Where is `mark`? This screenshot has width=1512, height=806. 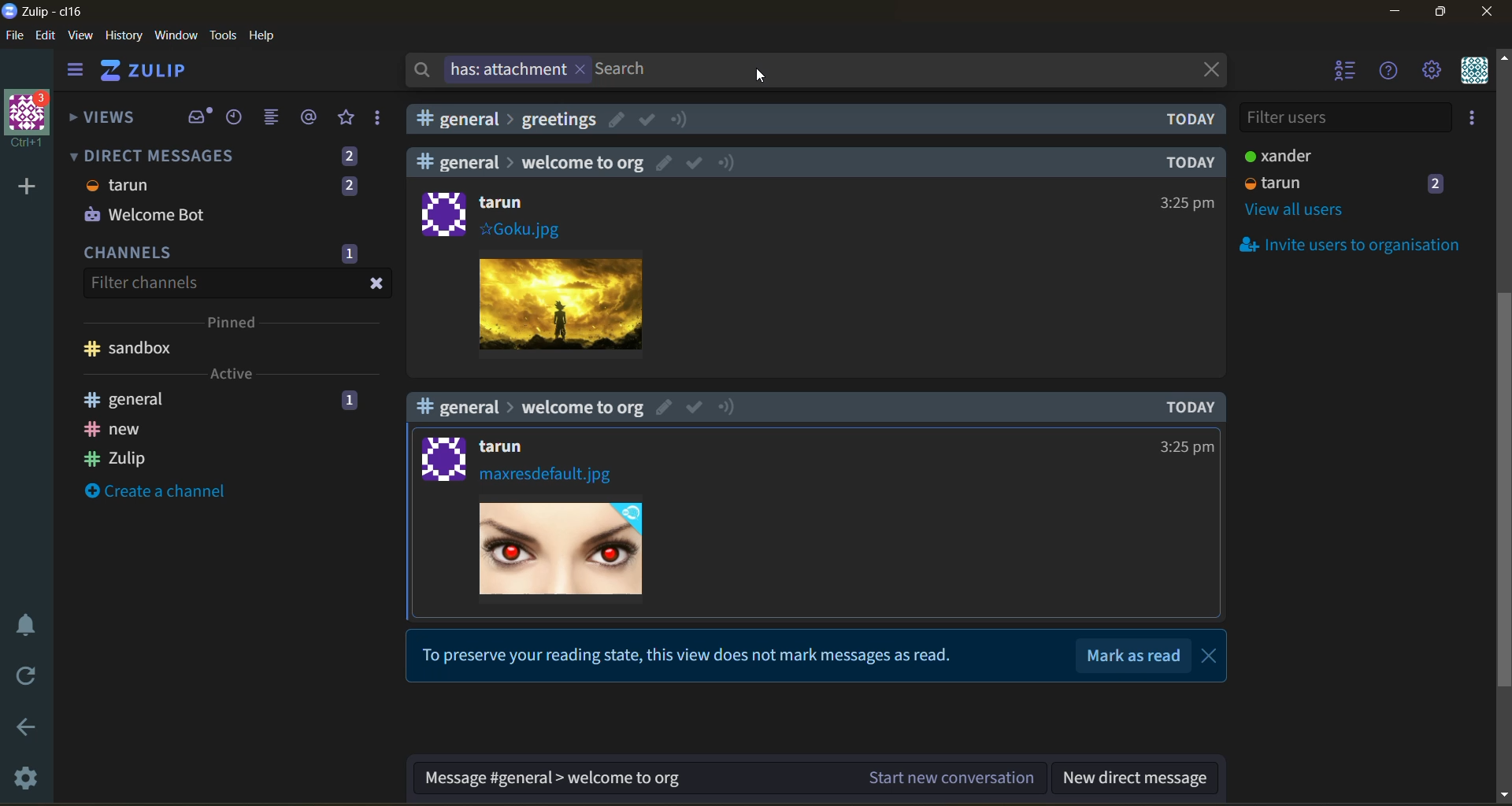 mark is located at coordinates (695, 165).